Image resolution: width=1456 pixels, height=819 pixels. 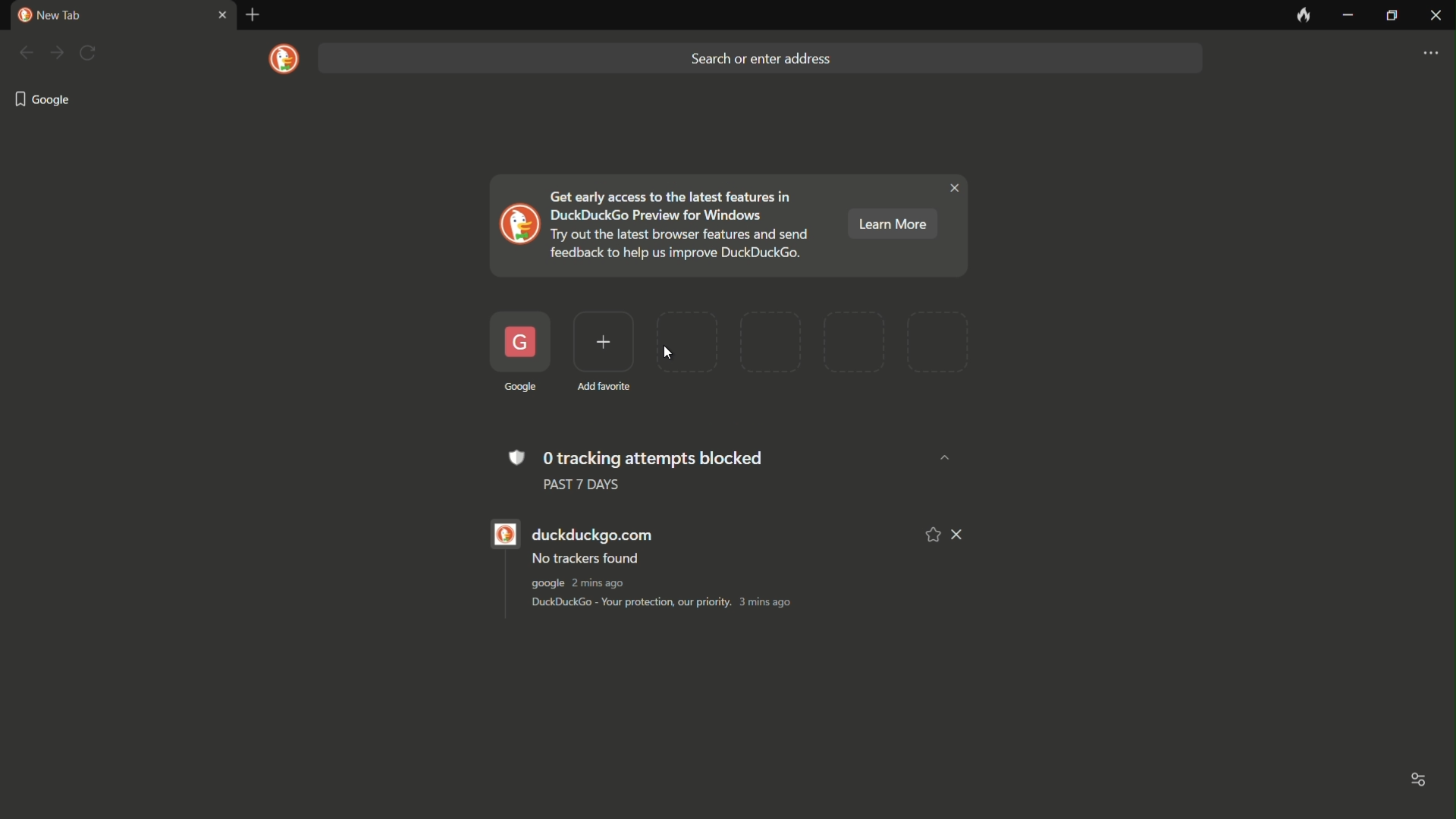 I want to click on created favorite, so click(x=519, y=352).